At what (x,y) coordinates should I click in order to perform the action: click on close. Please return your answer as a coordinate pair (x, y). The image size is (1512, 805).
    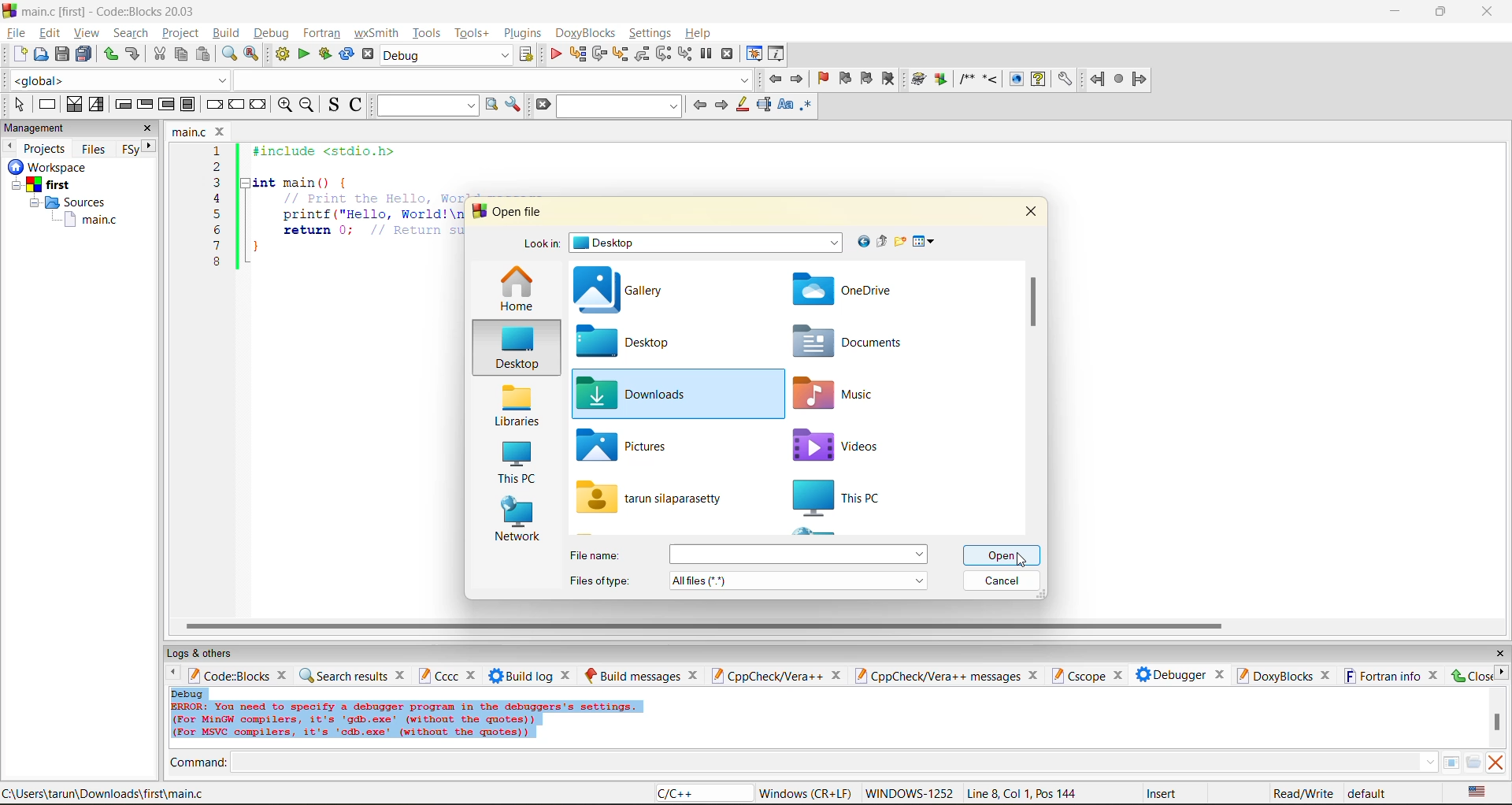
    Looking at the image, I should click on (836, 676).